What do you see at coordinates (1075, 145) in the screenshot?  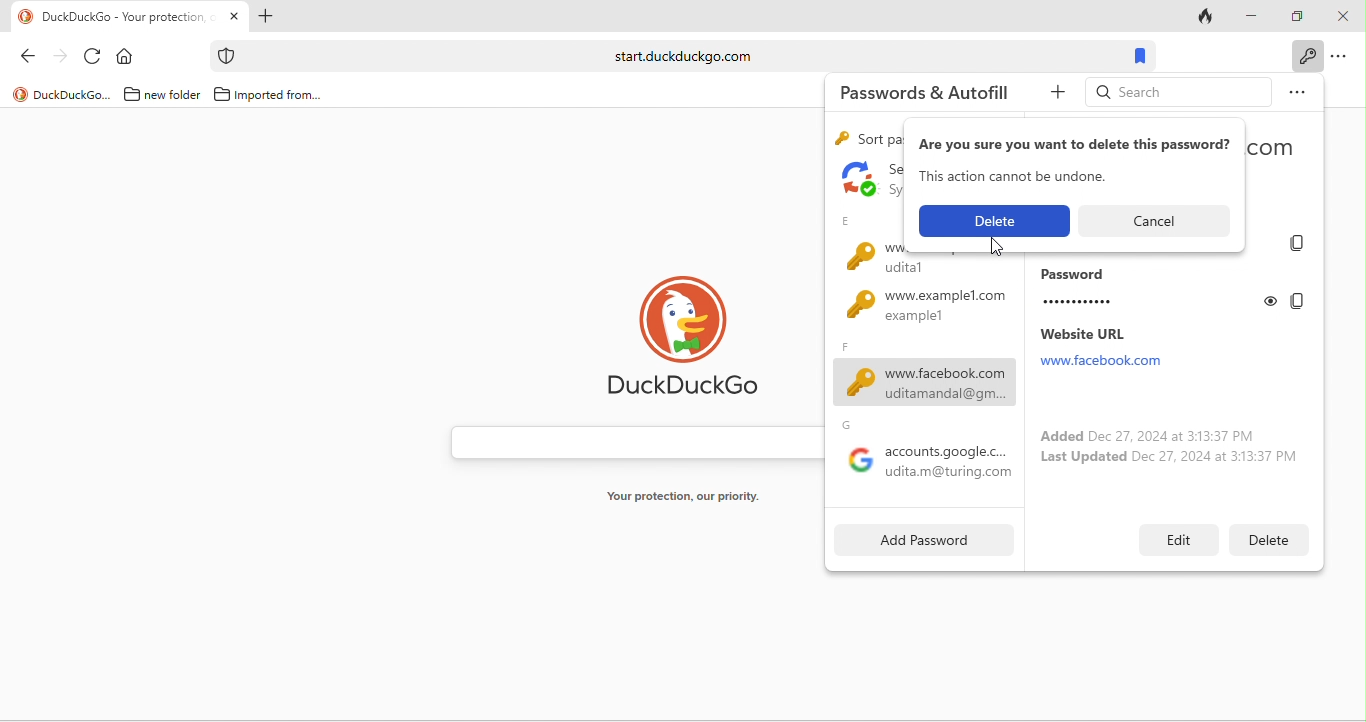 I see `are you sure you want to delete this password?` at bounding box center [1075, 145].